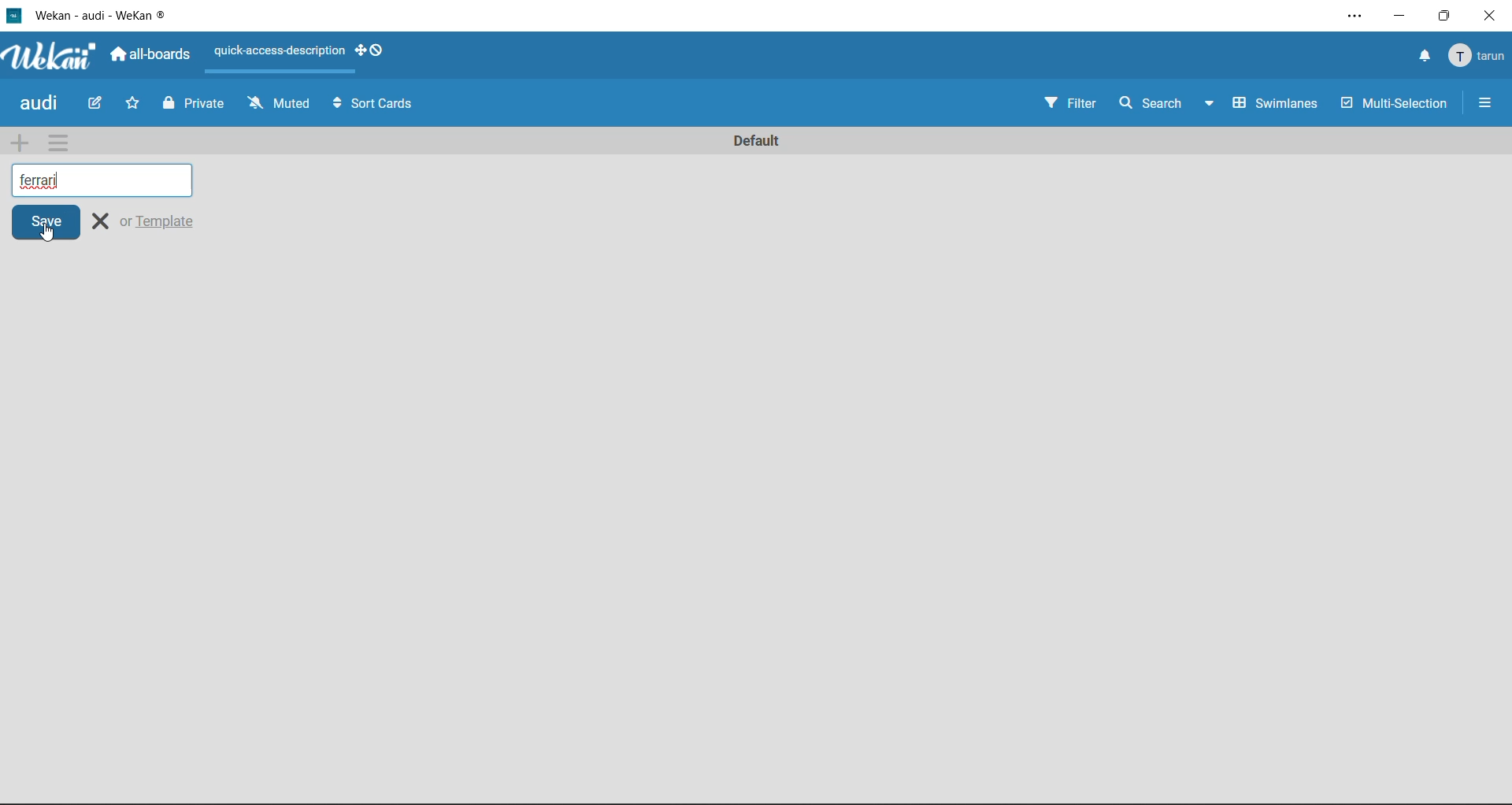  What do you see at coordinates (1493, 14) in the screenshot?
I see `close` at bounding box center [1493, 14].